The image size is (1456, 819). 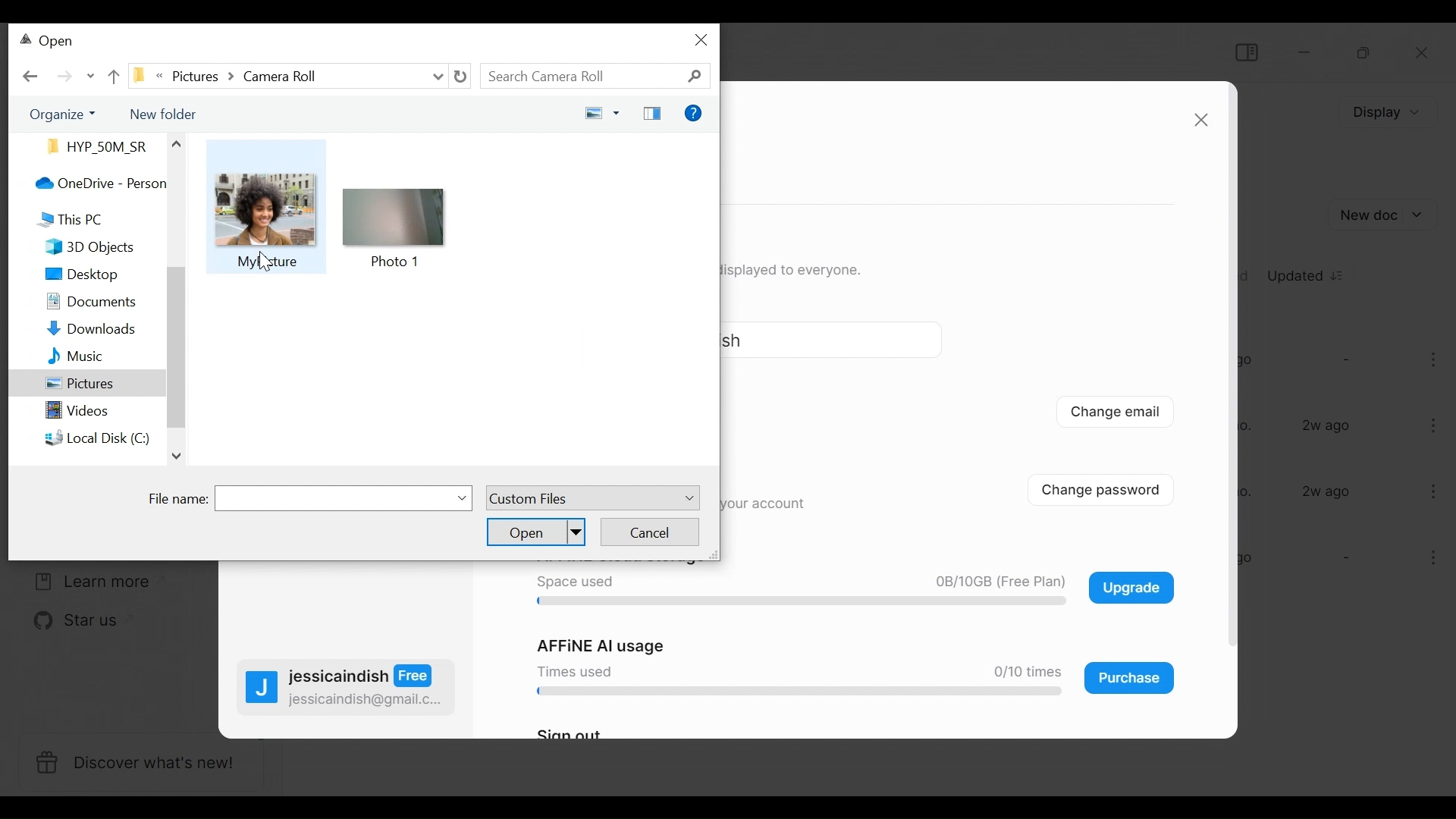 I want to click on Cancel, so click(x=650, y=531).